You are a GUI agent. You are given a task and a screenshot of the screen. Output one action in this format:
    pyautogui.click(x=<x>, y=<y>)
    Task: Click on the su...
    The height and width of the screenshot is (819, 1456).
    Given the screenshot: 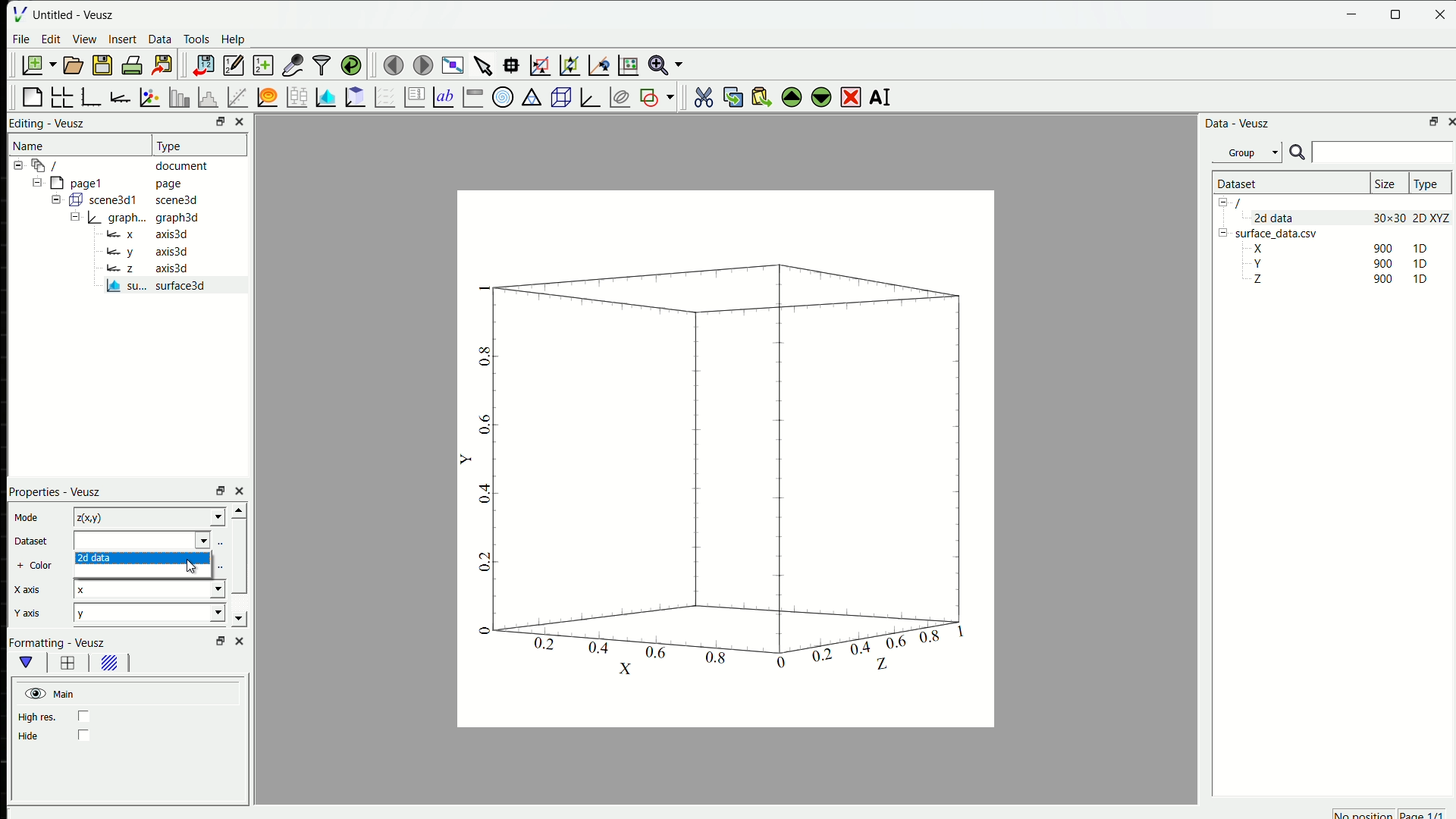 What is the action you would take?
    pyautogui.click(x=127, y=286)
    